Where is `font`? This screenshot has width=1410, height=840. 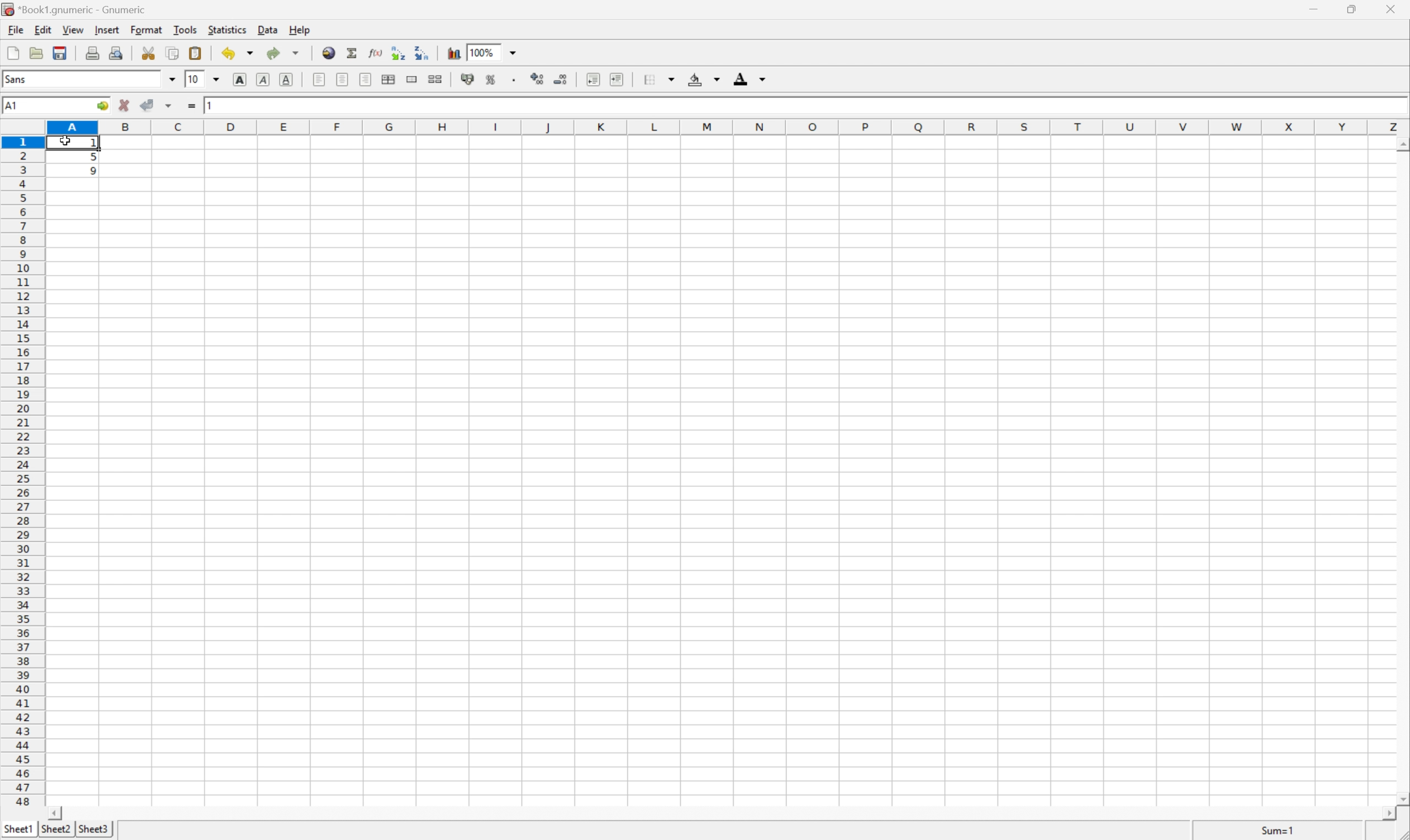
font is located at coordinates (22, 78).